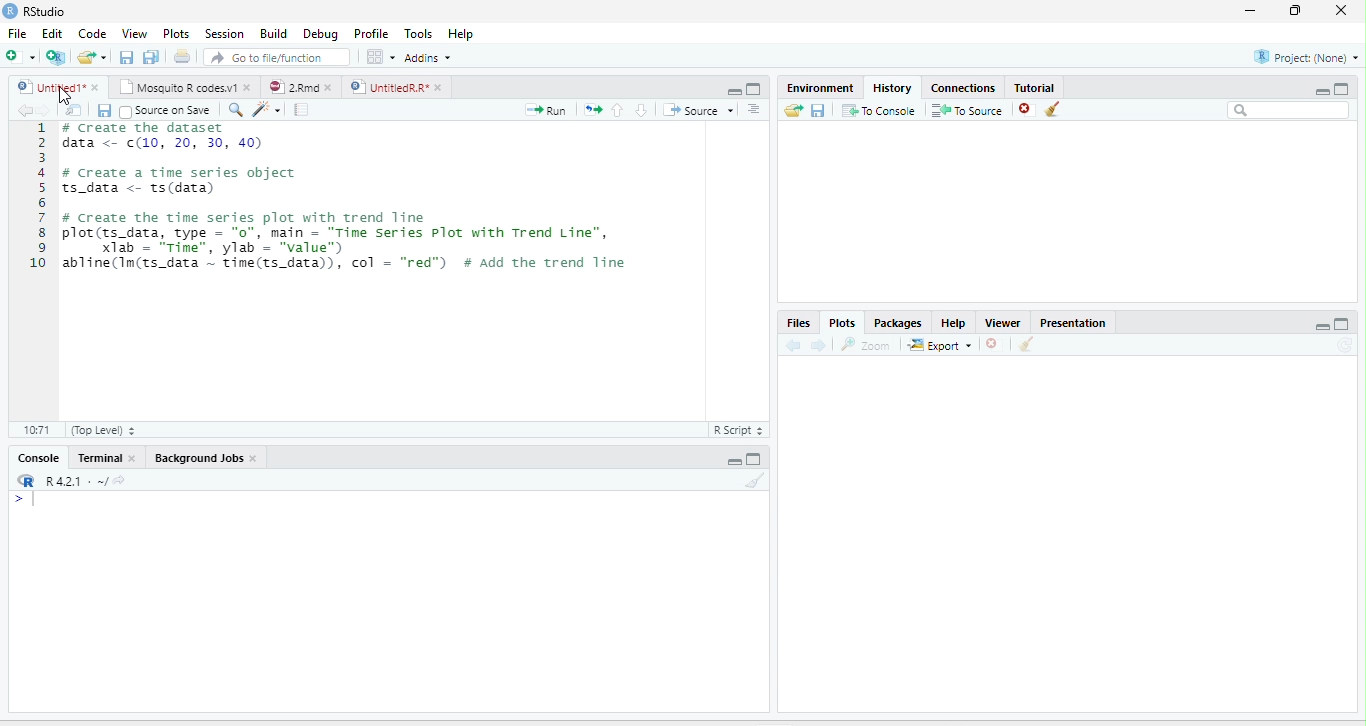  What do you see at coordinates (733, 92) in the screenshot?
I see `Minimize` at bounding box center [733, 92].